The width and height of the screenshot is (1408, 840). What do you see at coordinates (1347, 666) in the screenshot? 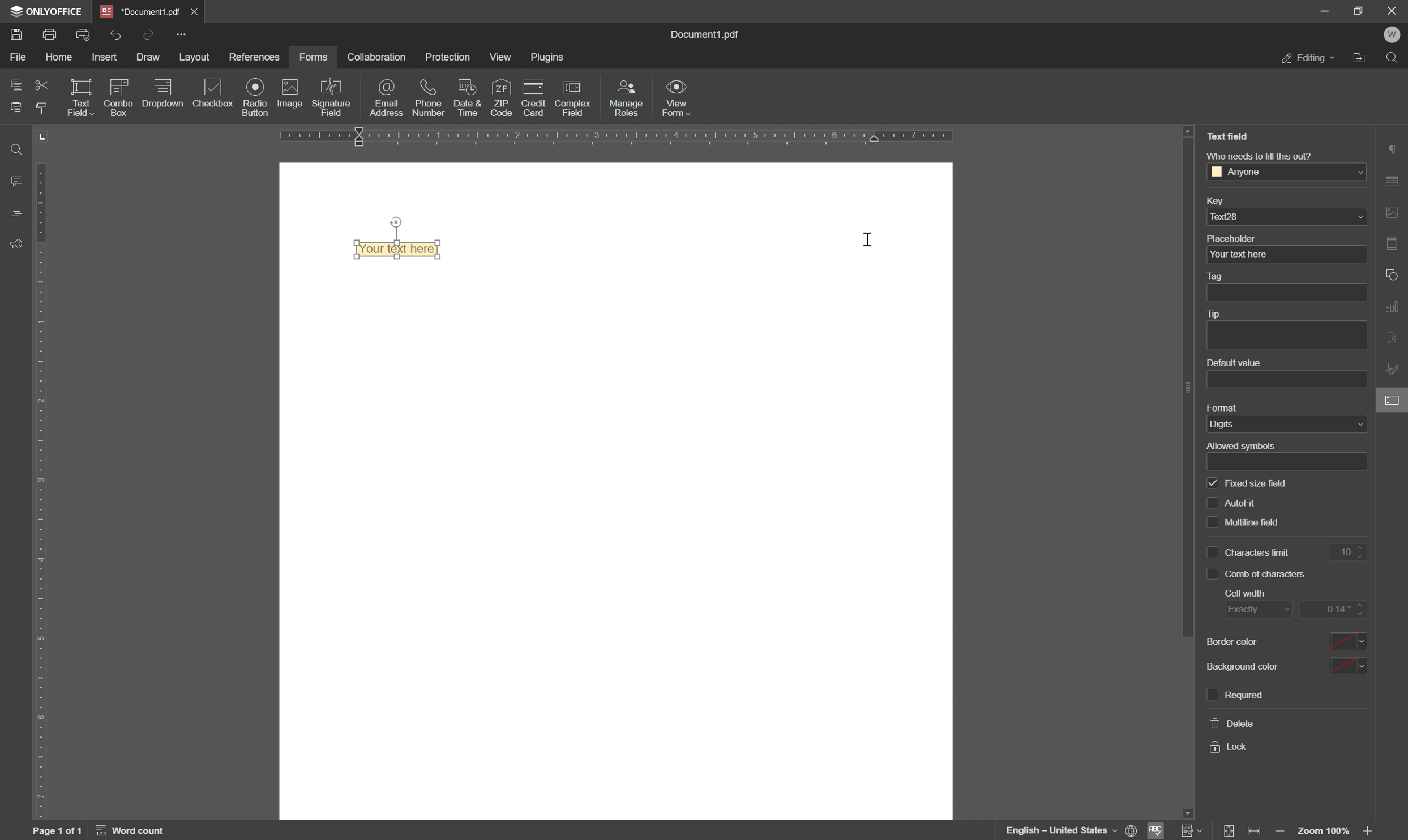
I see `drop down` at bounding box center [1347, 666].